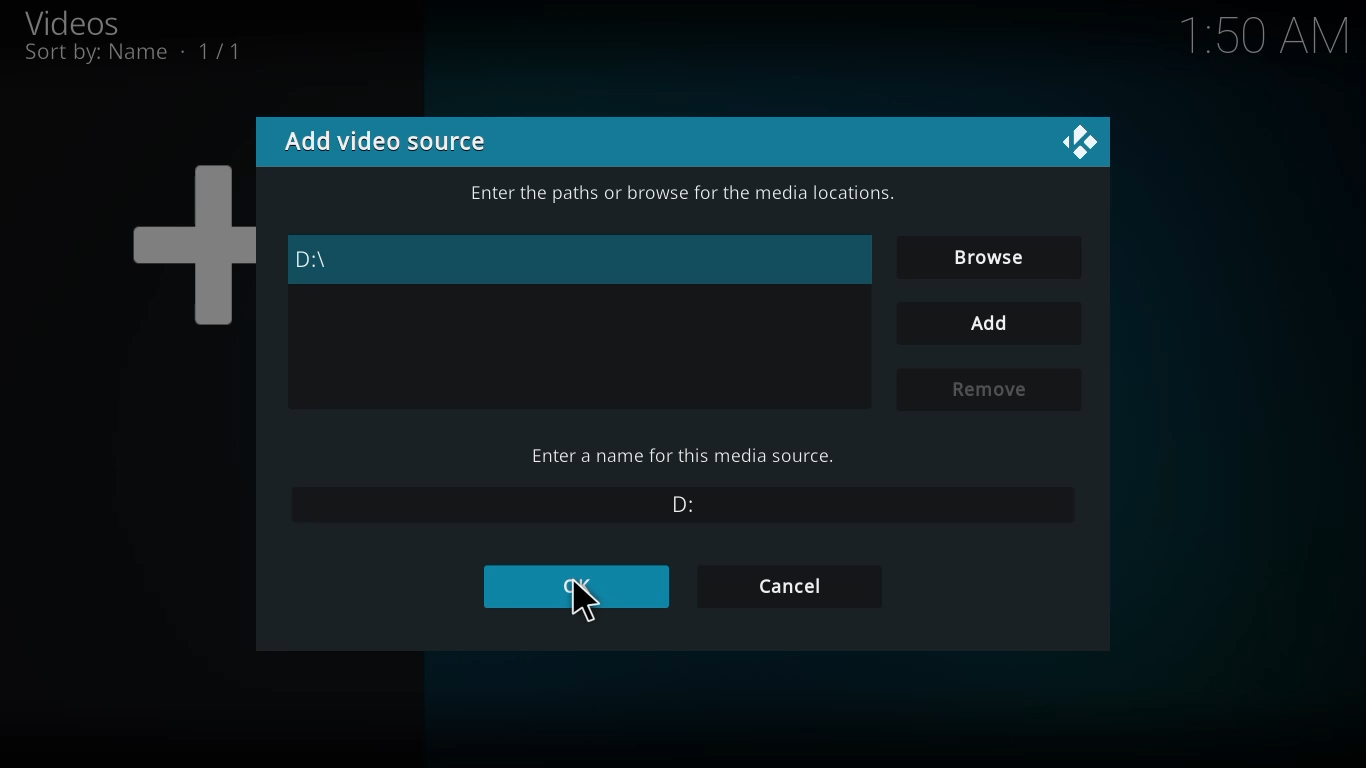  What do you see at coordinates (679, 194) in the screenshot?
I see `message` at bounding box center [679, 194].